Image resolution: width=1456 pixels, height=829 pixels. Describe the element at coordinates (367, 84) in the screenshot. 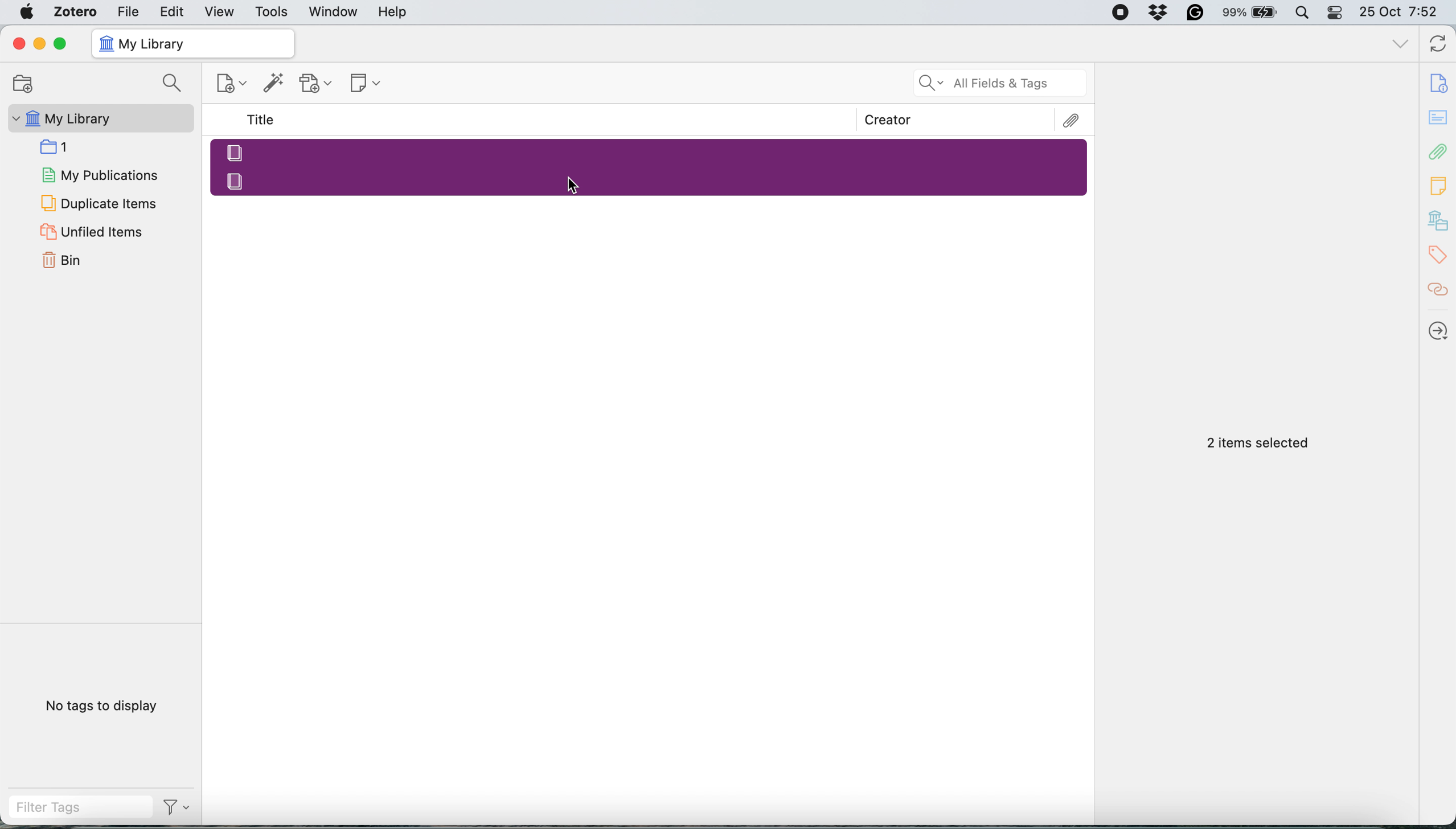

I see `New Note` at that location.